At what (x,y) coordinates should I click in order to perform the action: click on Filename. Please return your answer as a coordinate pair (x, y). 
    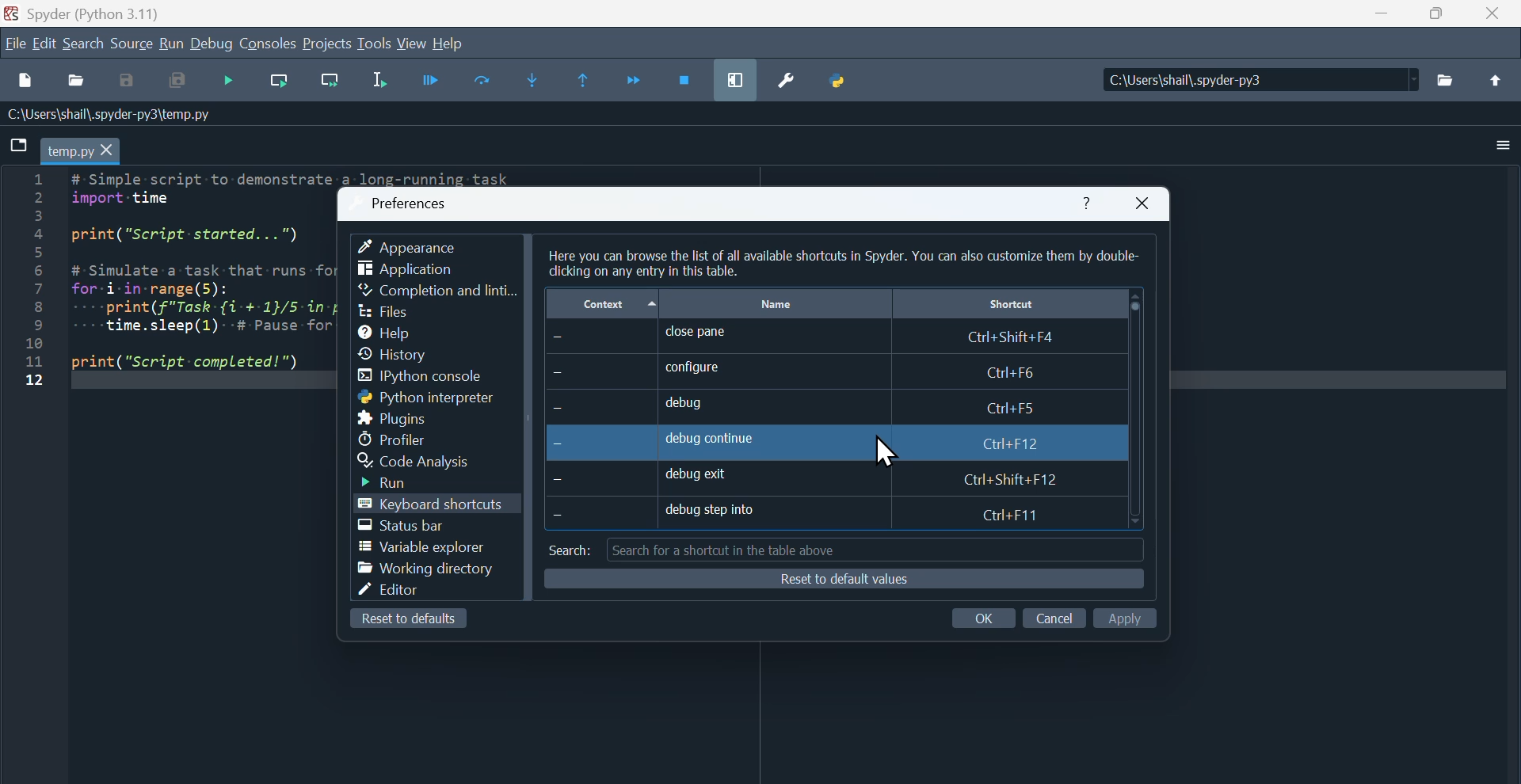
    Looking at the image, I should click on (84, 150).